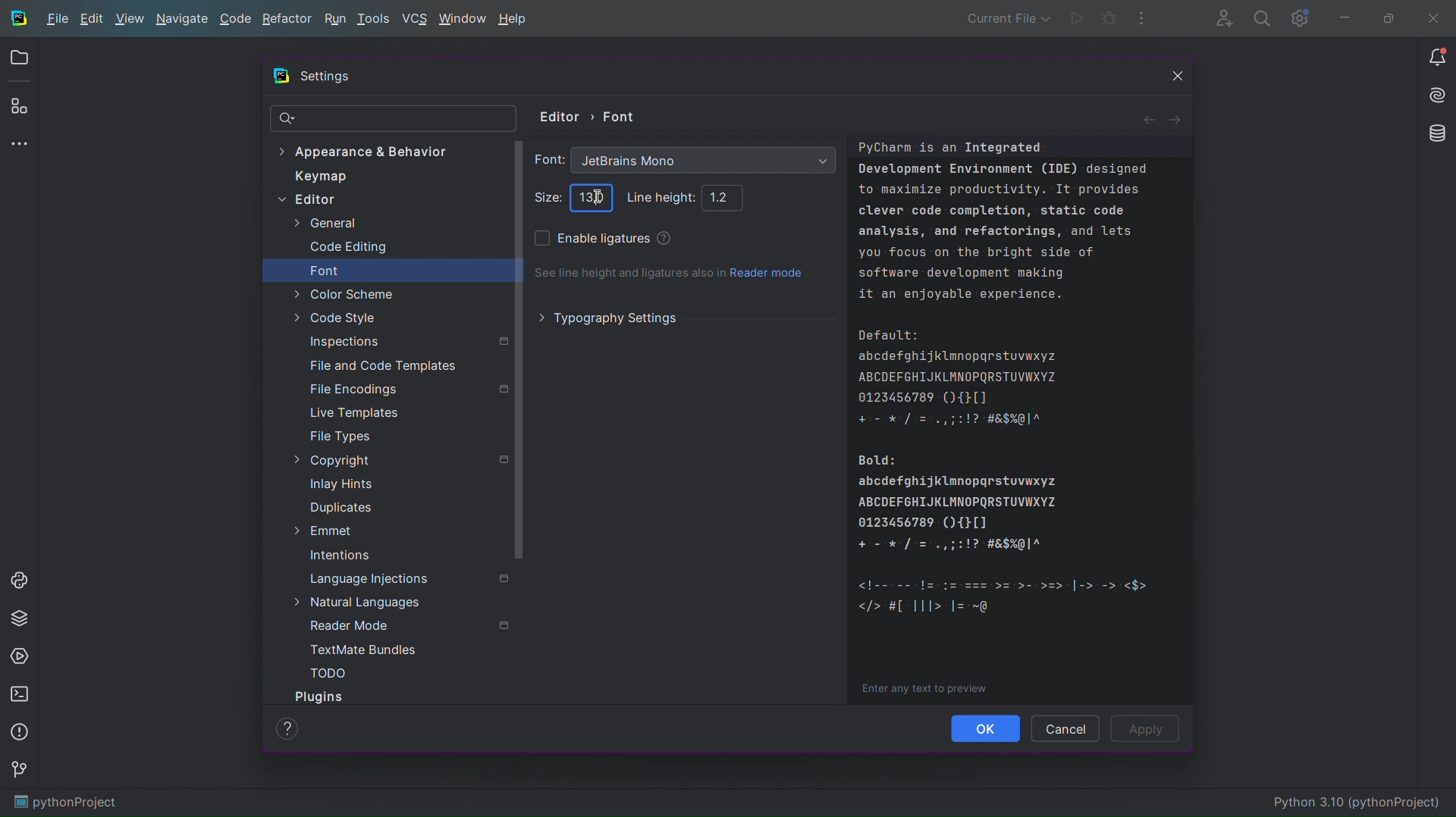 The width and height of the screenshot is (1456, 817). What do you see at coordinates (325, 271) in the screenshot?
I see `Font` at bounding box center [325, 271].